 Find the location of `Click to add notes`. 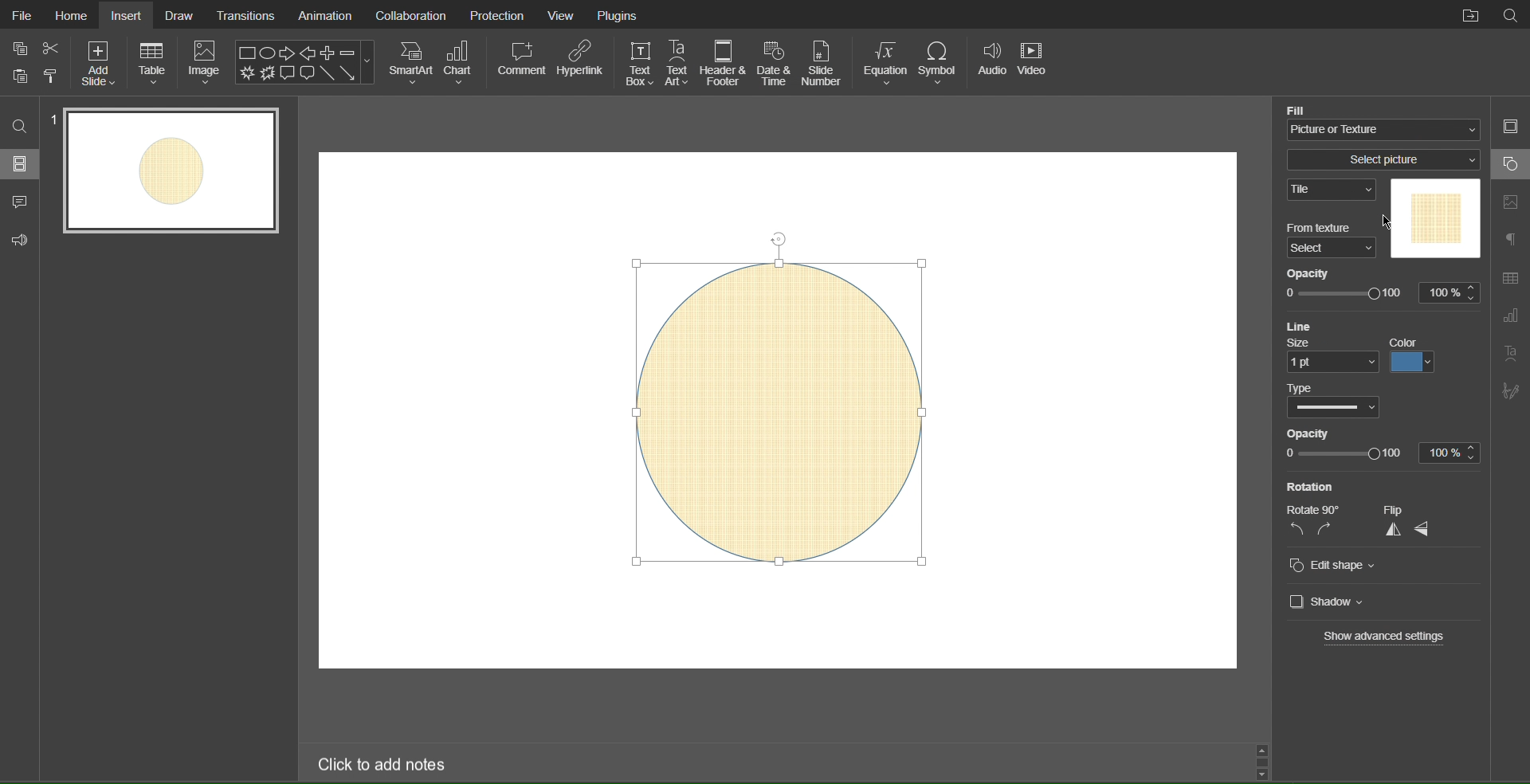

Click to add notes is located at coordinates (383, 763).